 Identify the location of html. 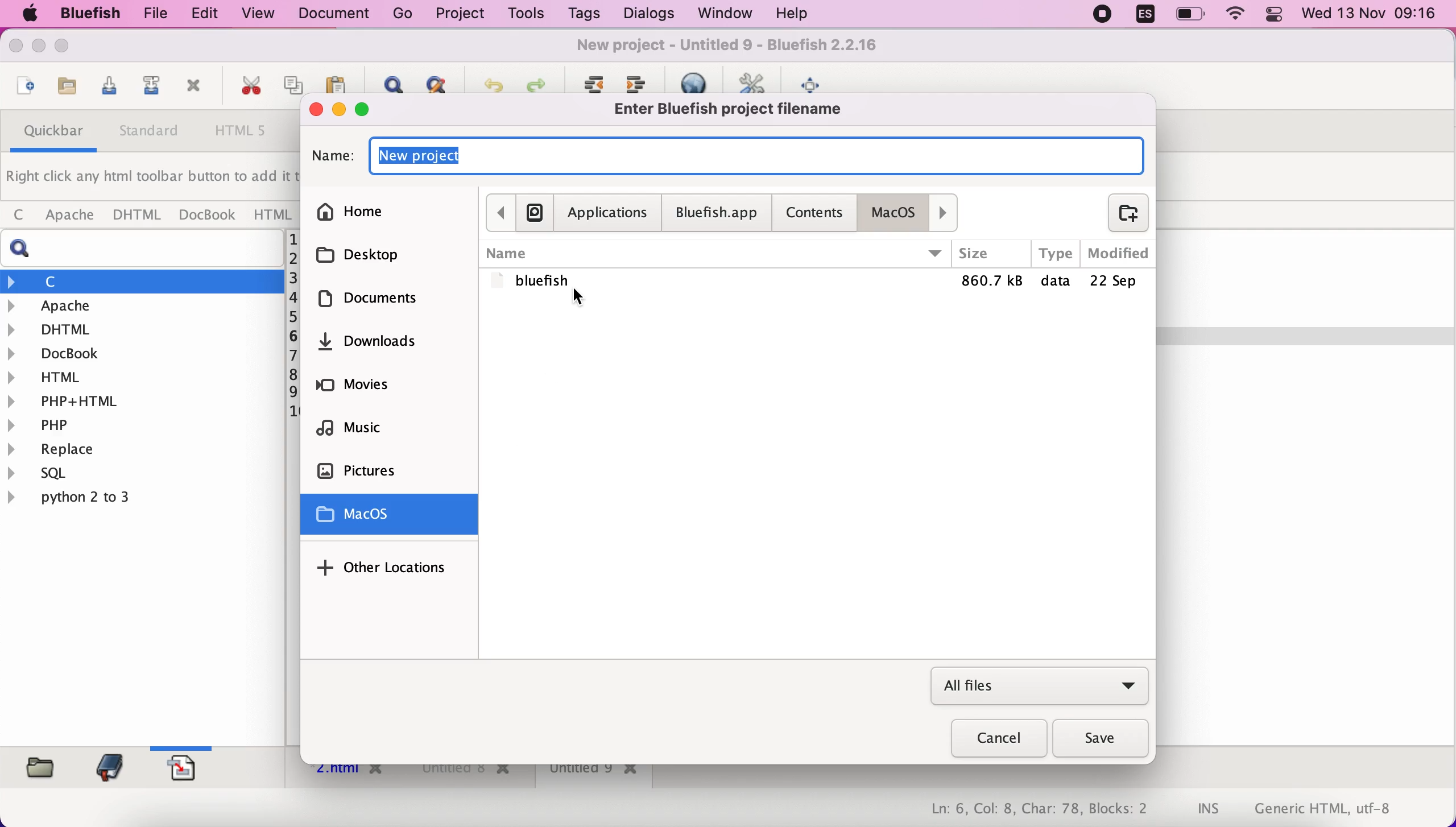
(271, 214).